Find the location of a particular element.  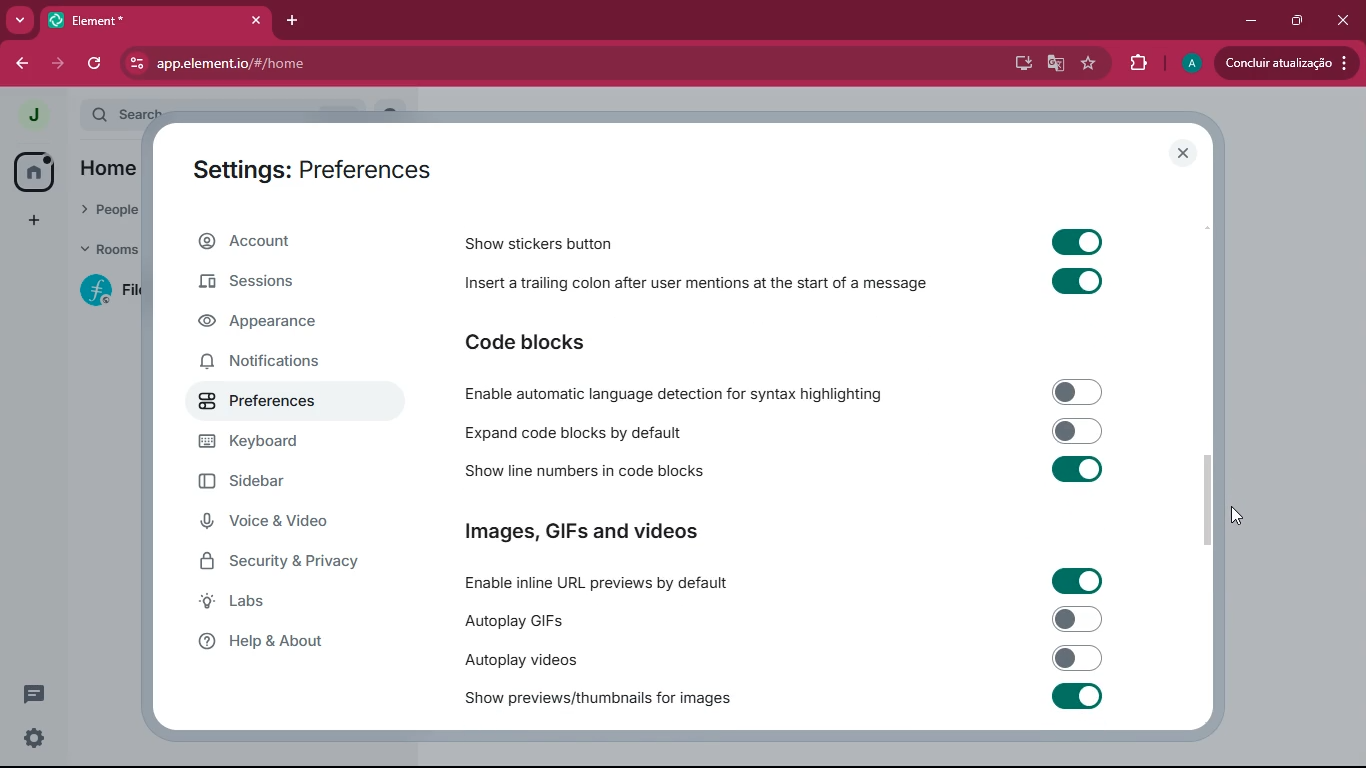

 is located at coordinates (1077, 581).